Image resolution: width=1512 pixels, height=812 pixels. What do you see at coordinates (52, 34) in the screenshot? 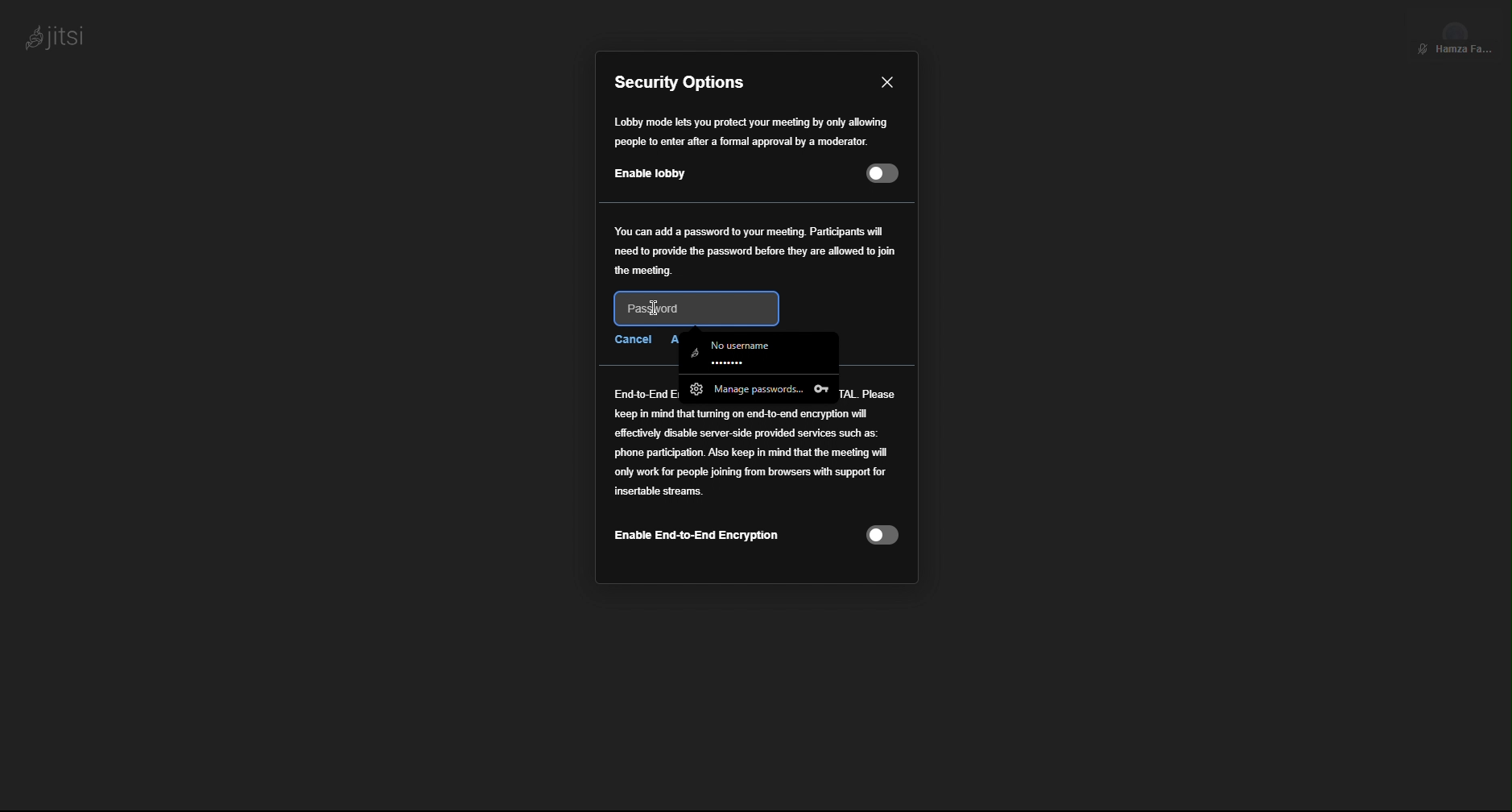
I see `jitsi` at bounding box center [52, 34].